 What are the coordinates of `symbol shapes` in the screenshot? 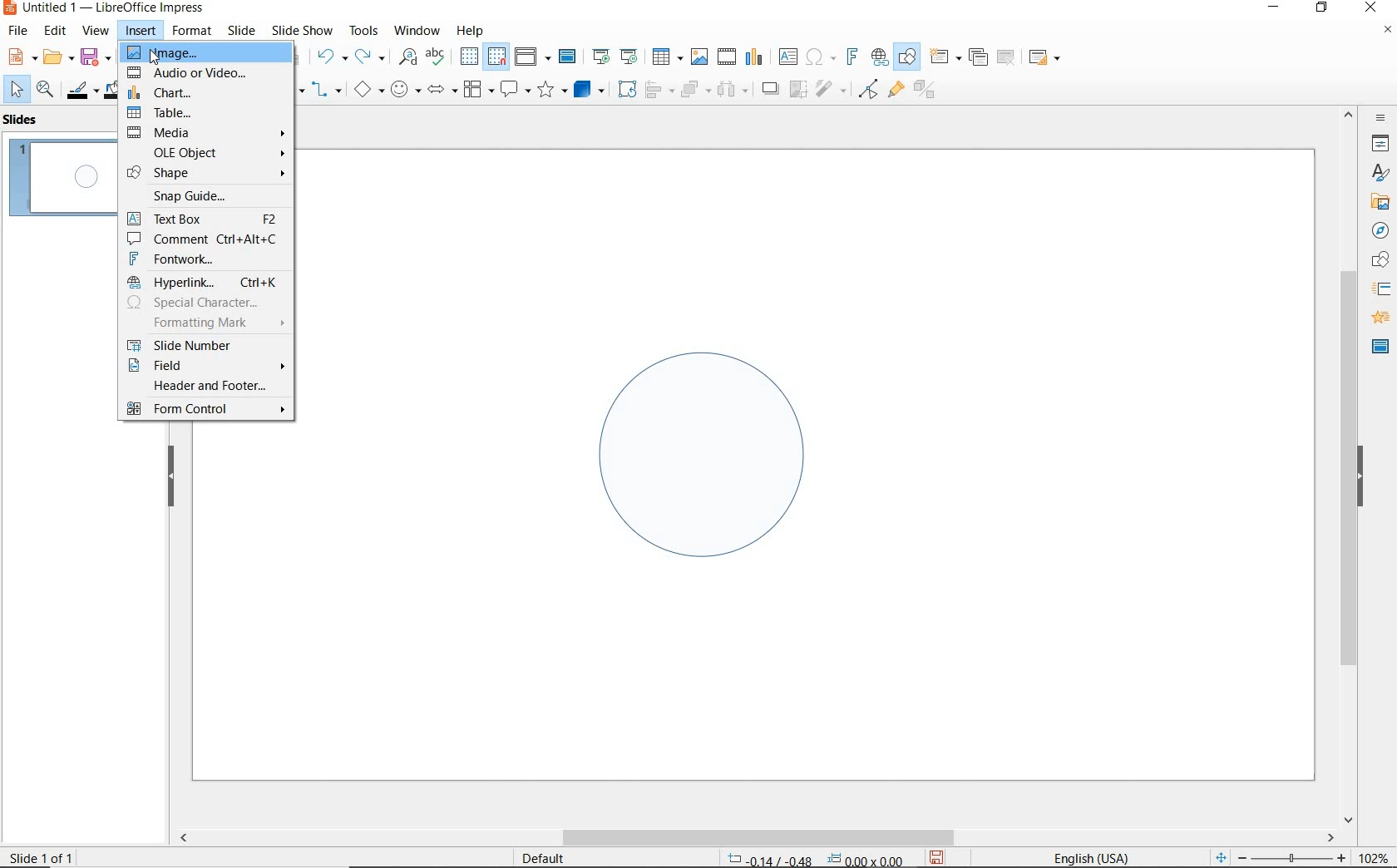 It's located at (405, 89).